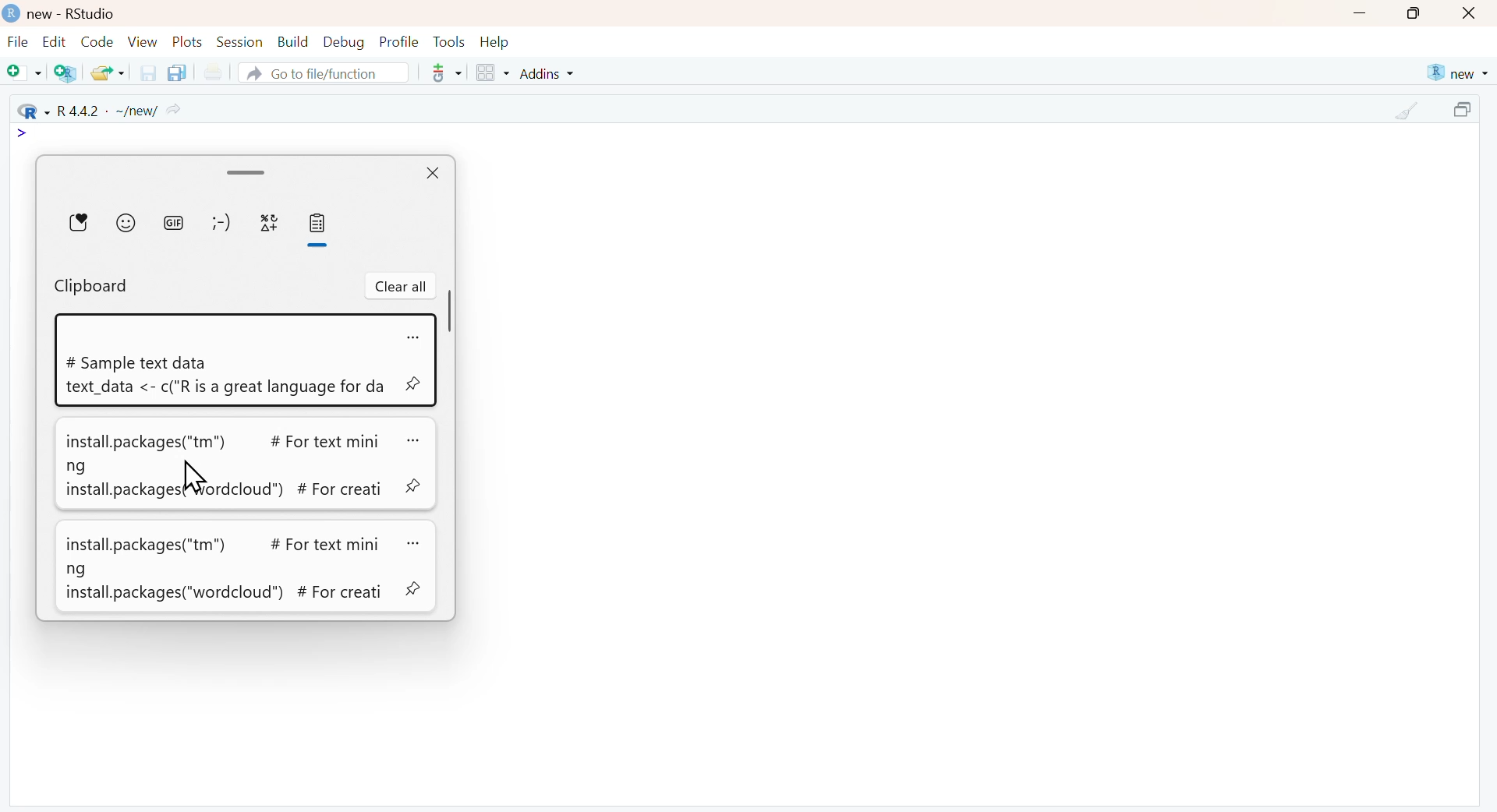  What do you see at coordinates (224, 593) in the screenshot?
I see `install.packages("wordcloud”) # For creati` at bounding box center [224, 593].